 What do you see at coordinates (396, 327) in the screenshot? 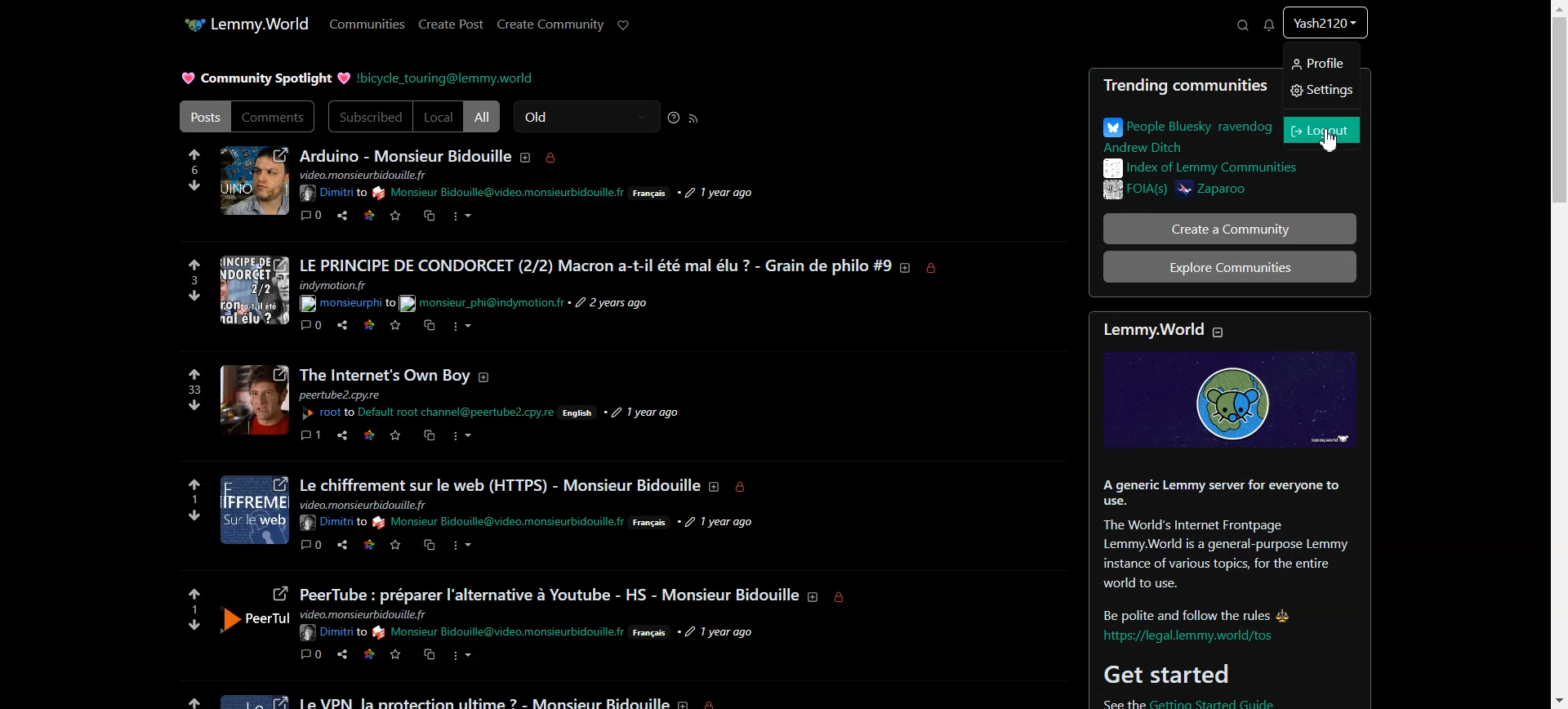
I see `save` at bounding box center [396, 327].